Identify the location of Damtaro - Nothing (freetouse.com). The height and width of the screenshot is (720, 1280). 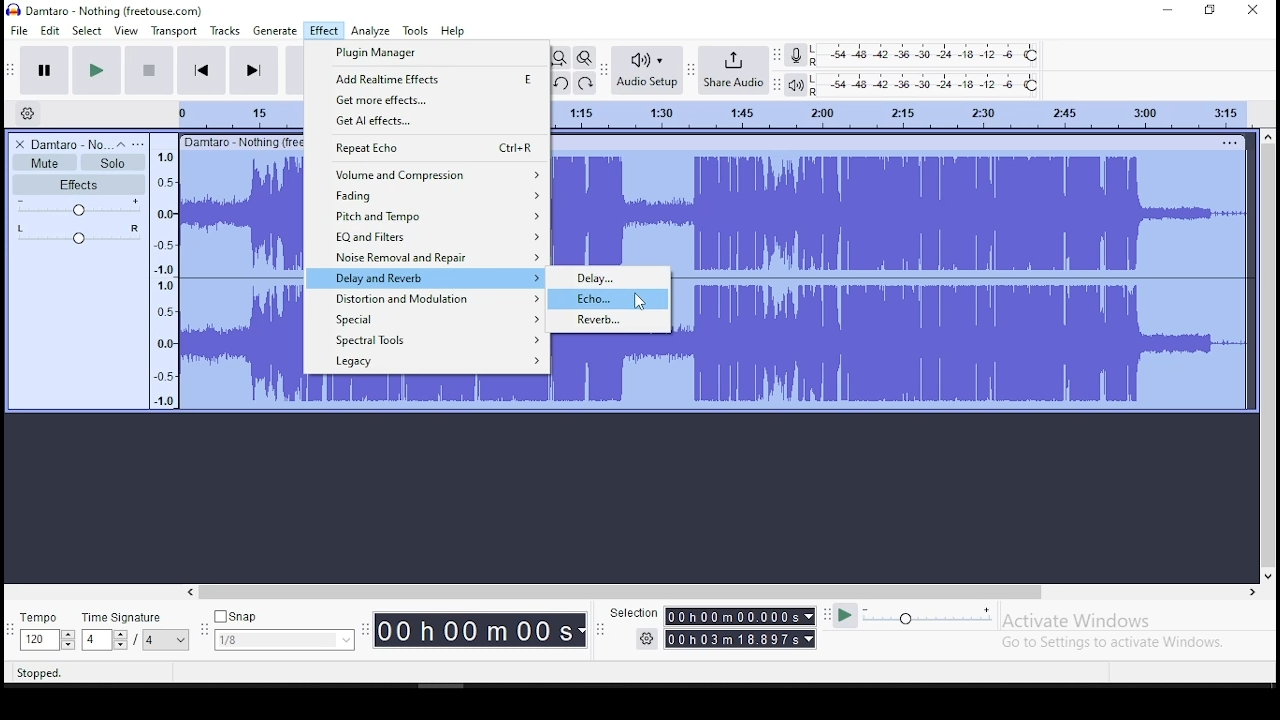
(104, 11).